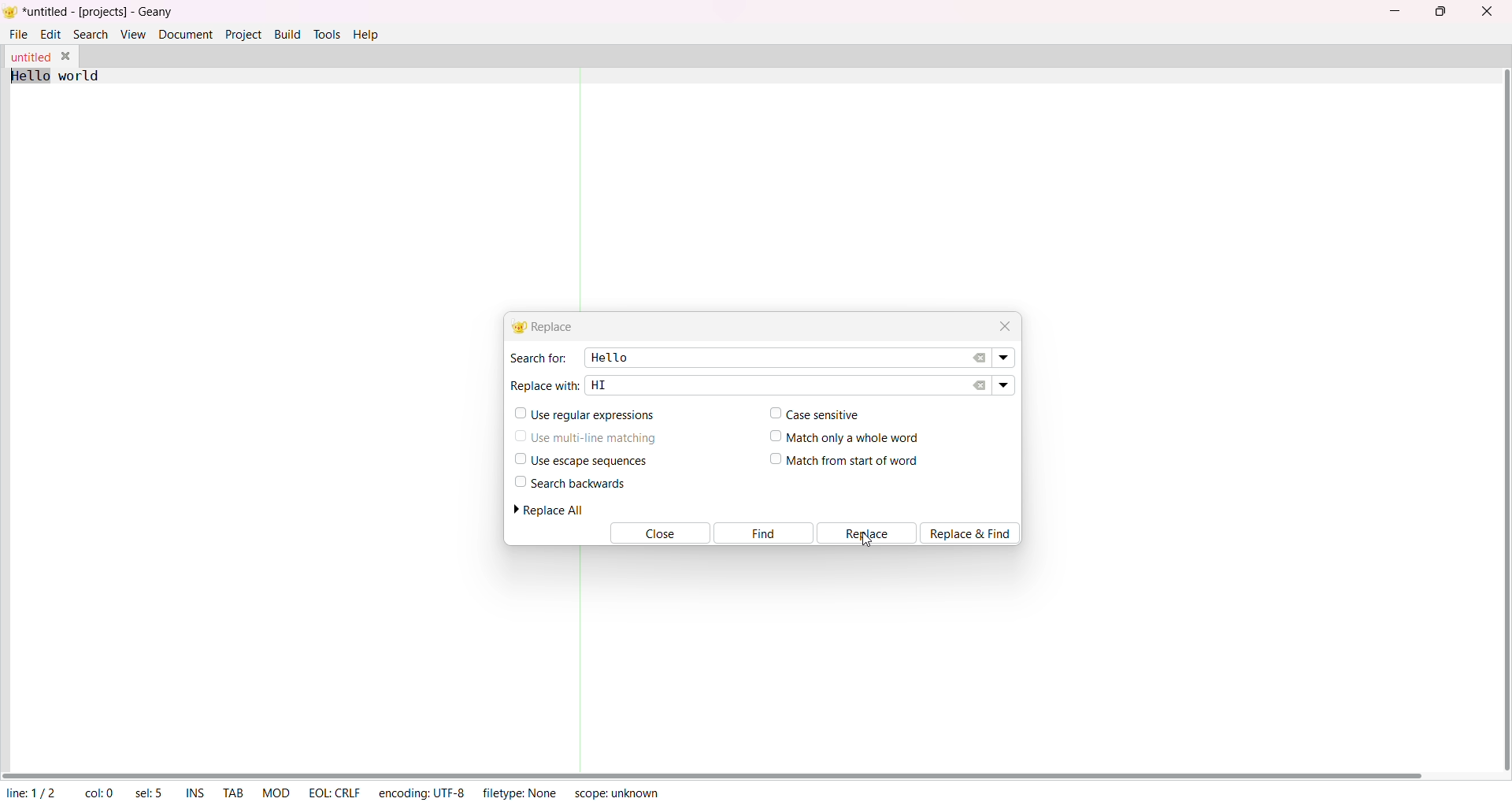 The width and height of the screenshot is (1512, 802). What do you see at coordinates (599, 384) in the screenshot?
I see `HI` at bounding box center [599, 384].